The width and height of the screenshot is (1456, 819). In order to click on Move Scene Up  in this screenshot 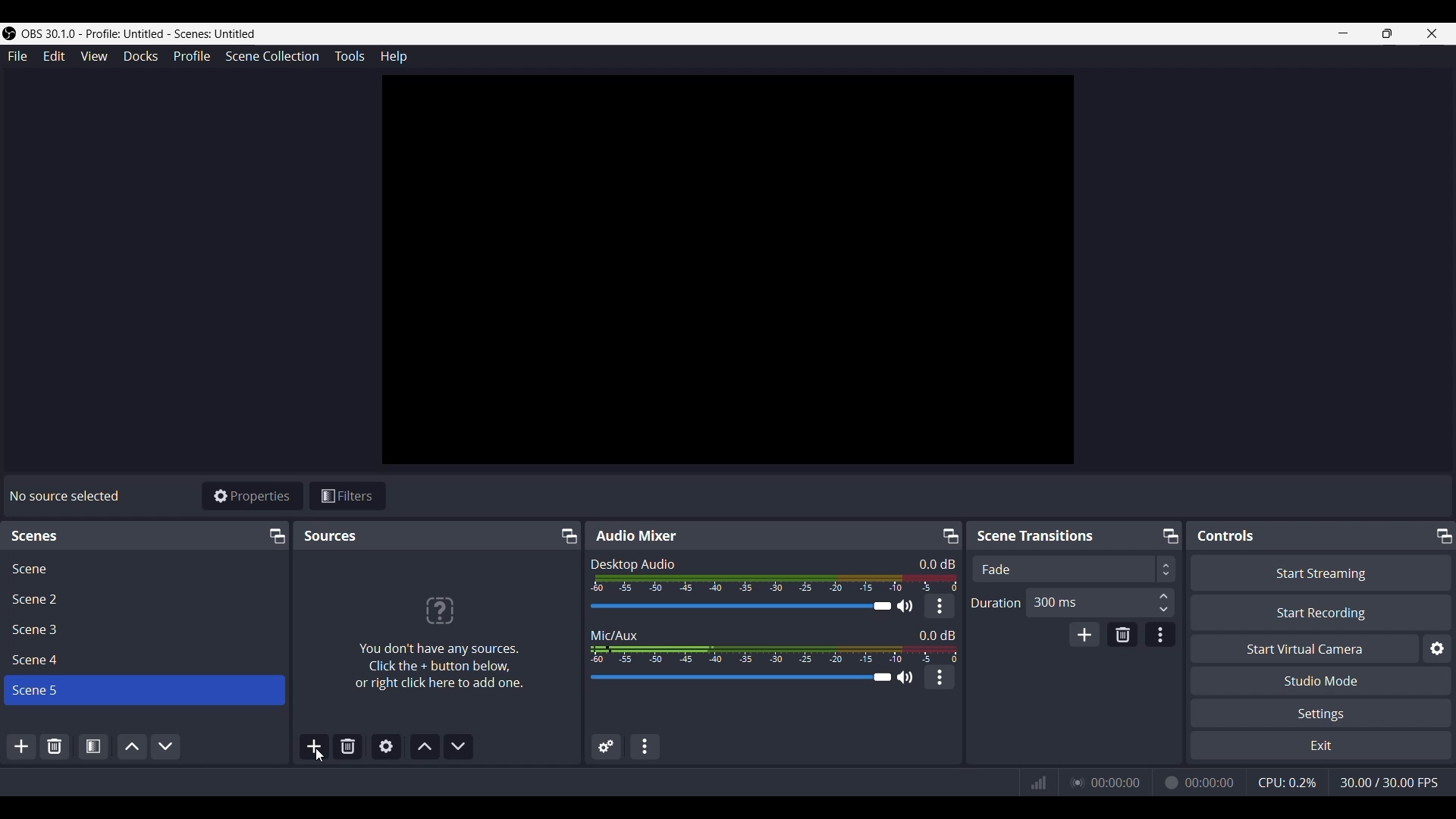, I will do `click(130, 747)`.